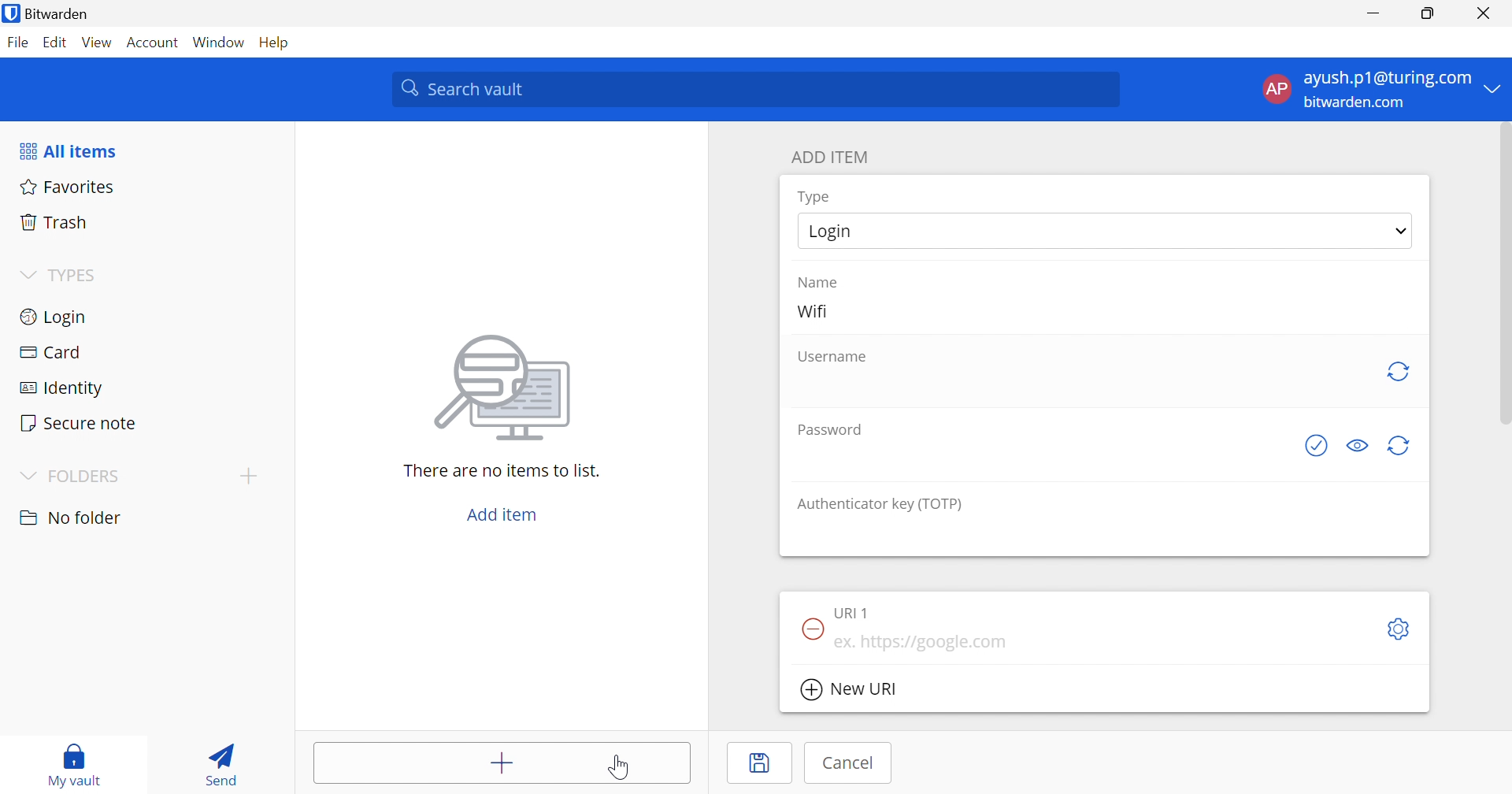 This screenshot has height=794, width=1512. What do you see at coordinates (55, 315) in the screenshot?
I see `Login` at bounding box center [55, 315].